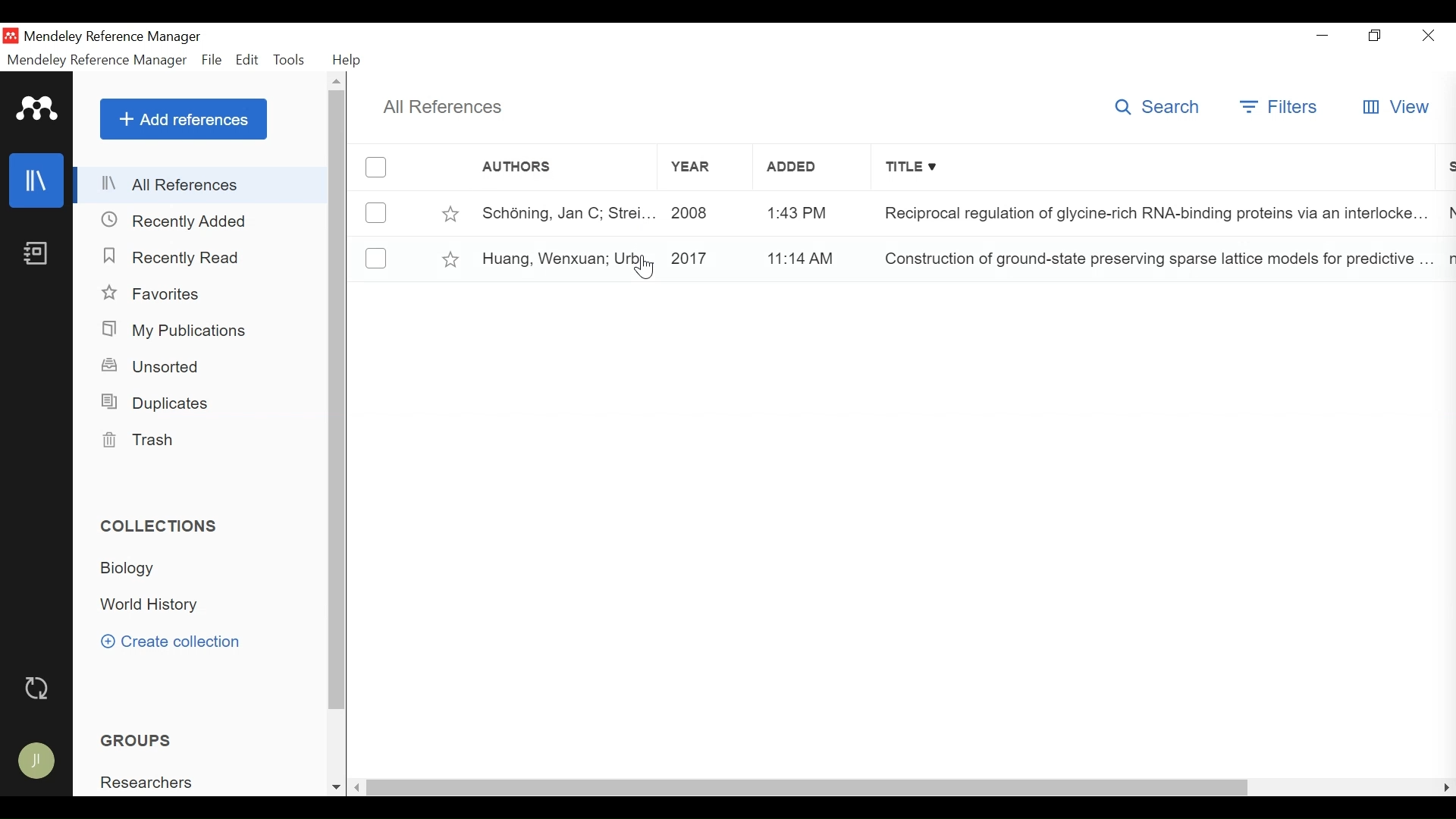  I want to click on File, so click(212, 61).